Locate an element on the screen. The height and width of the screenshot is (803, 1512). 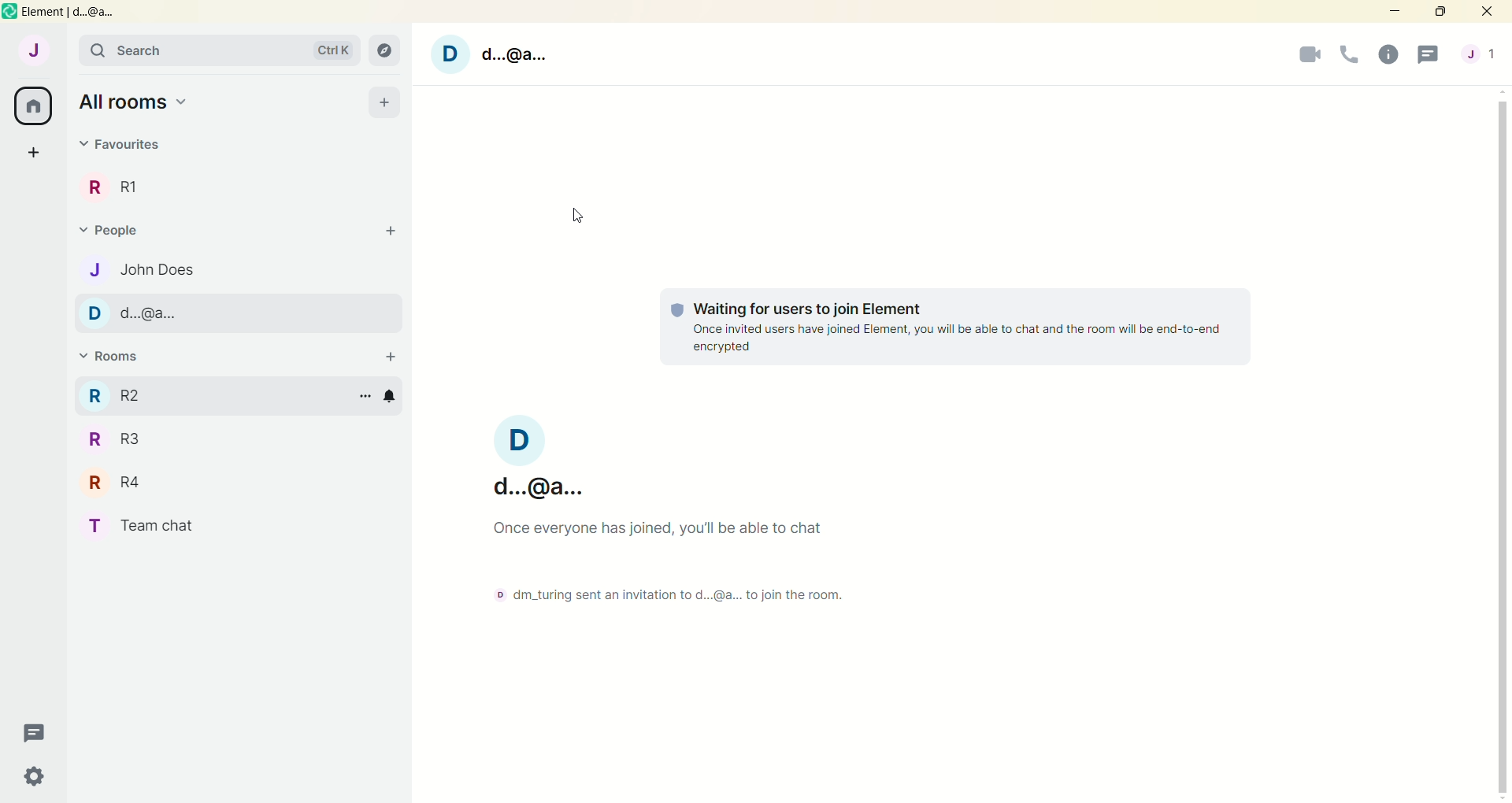
minimize is located at coordinates (1392, 10).